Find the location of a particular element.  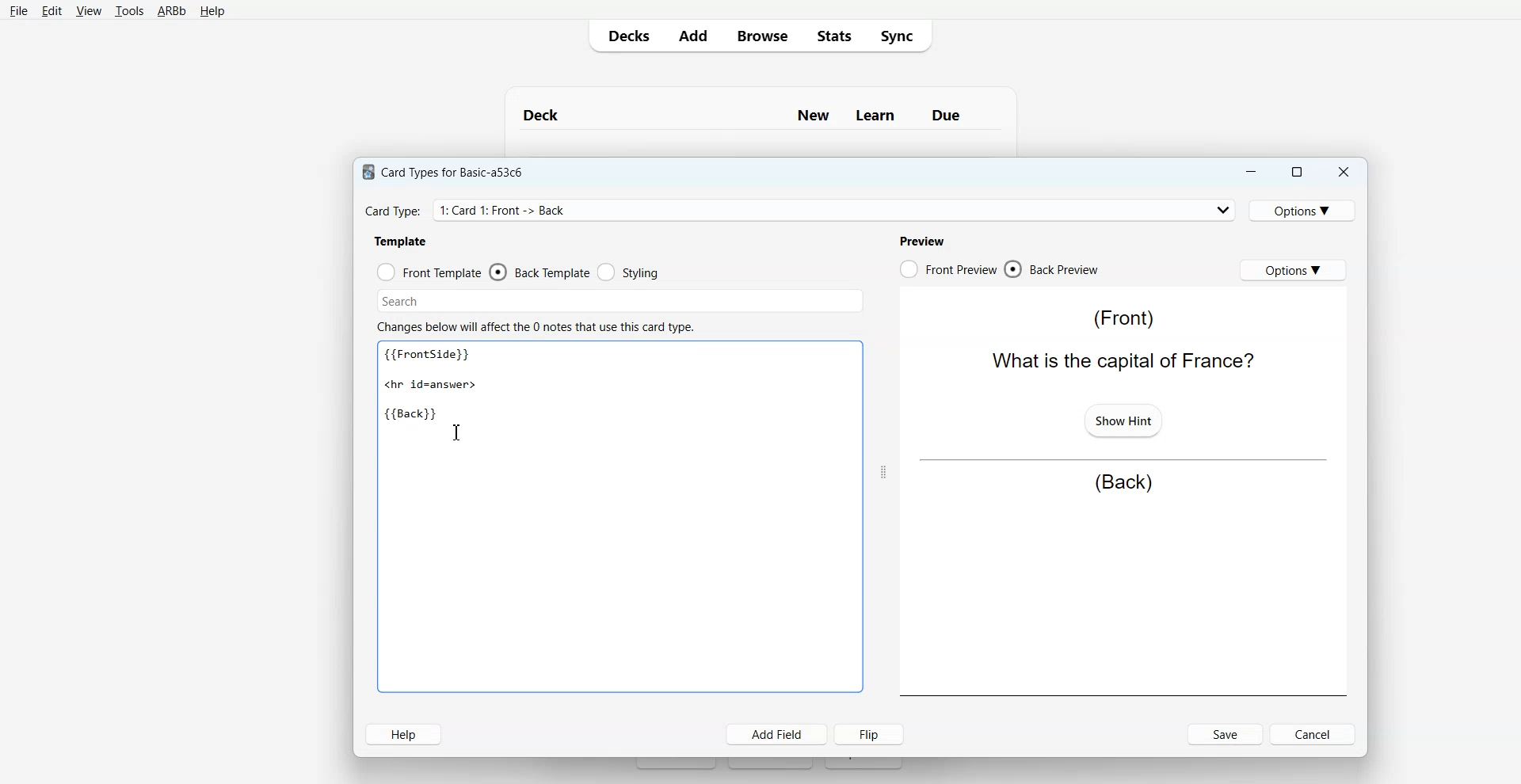

Edit is located at coordinates (52, 11).